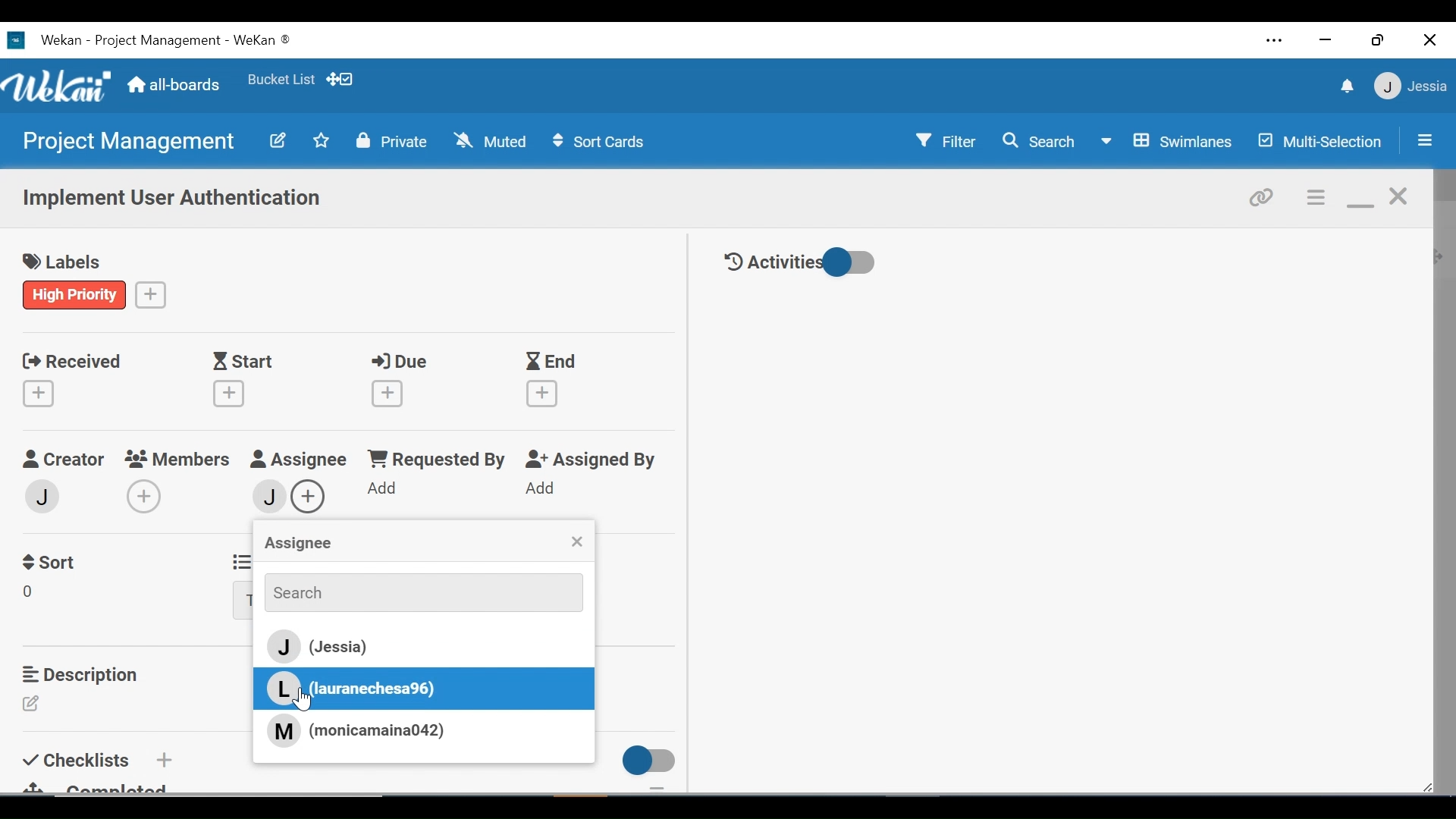 This screenshot has height=819, width=1456. What do you see at coordinates (84, 674) in the screenshot?
I see `Description` at bounding box center [84, 674].